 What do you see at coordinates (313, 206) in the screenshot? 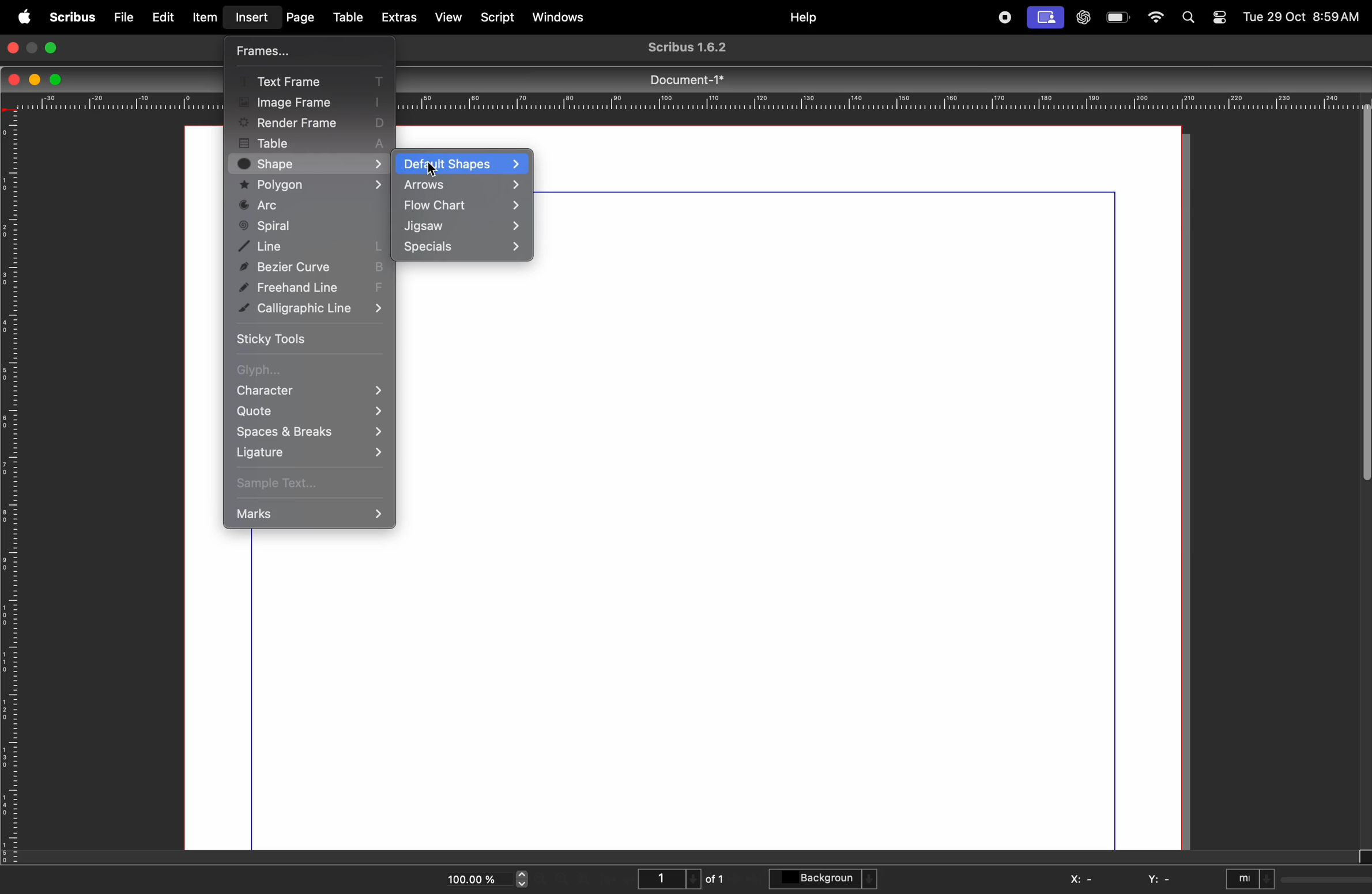
I see `arc` at bounding box center [313, 206].